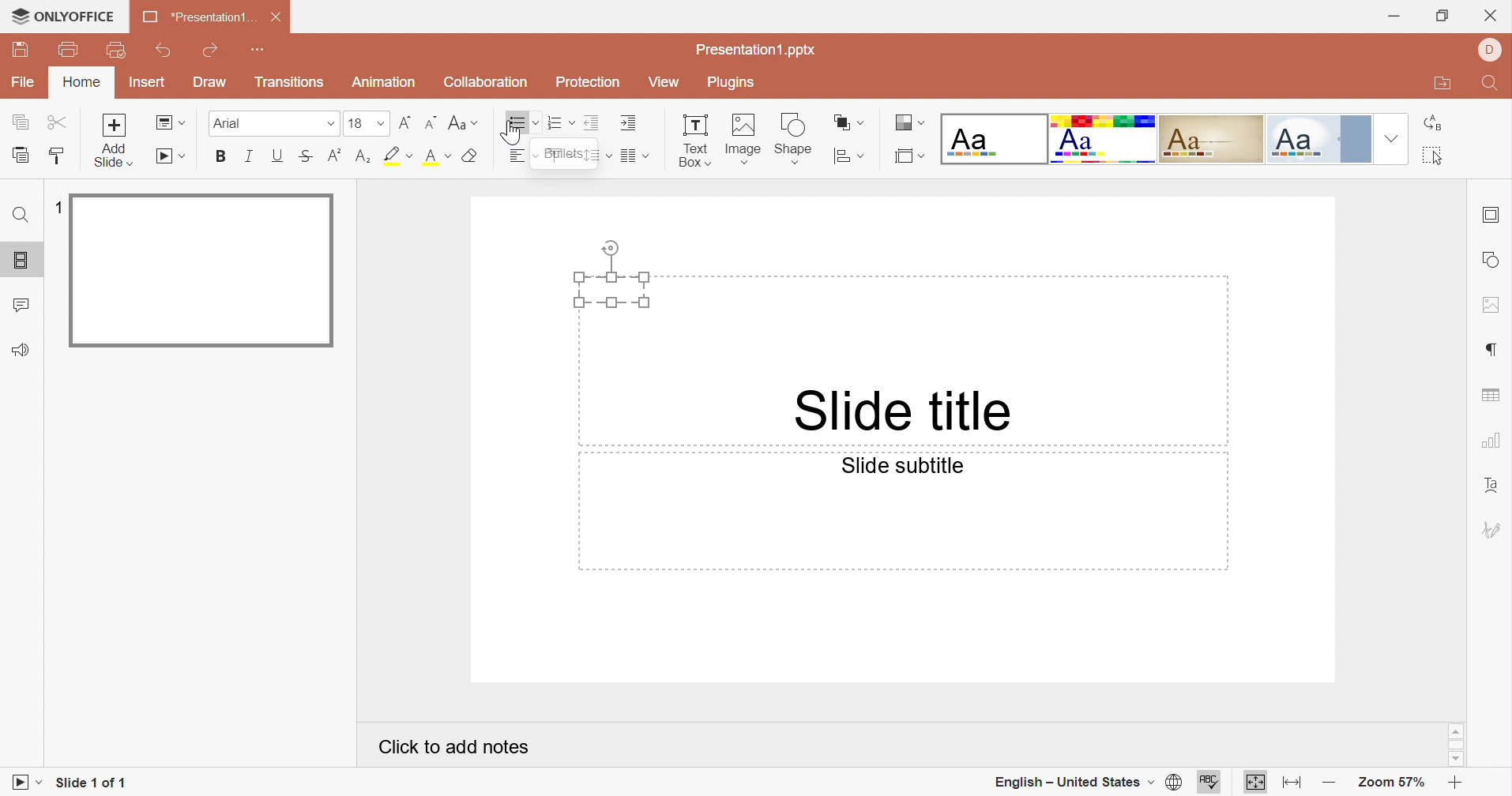 Image resolution: width=1512 pixels, height=796 pixels. What do you see at coordinates (851, 157) in the screenshot?
I see `Align shape` at bounding box center [851, 157].